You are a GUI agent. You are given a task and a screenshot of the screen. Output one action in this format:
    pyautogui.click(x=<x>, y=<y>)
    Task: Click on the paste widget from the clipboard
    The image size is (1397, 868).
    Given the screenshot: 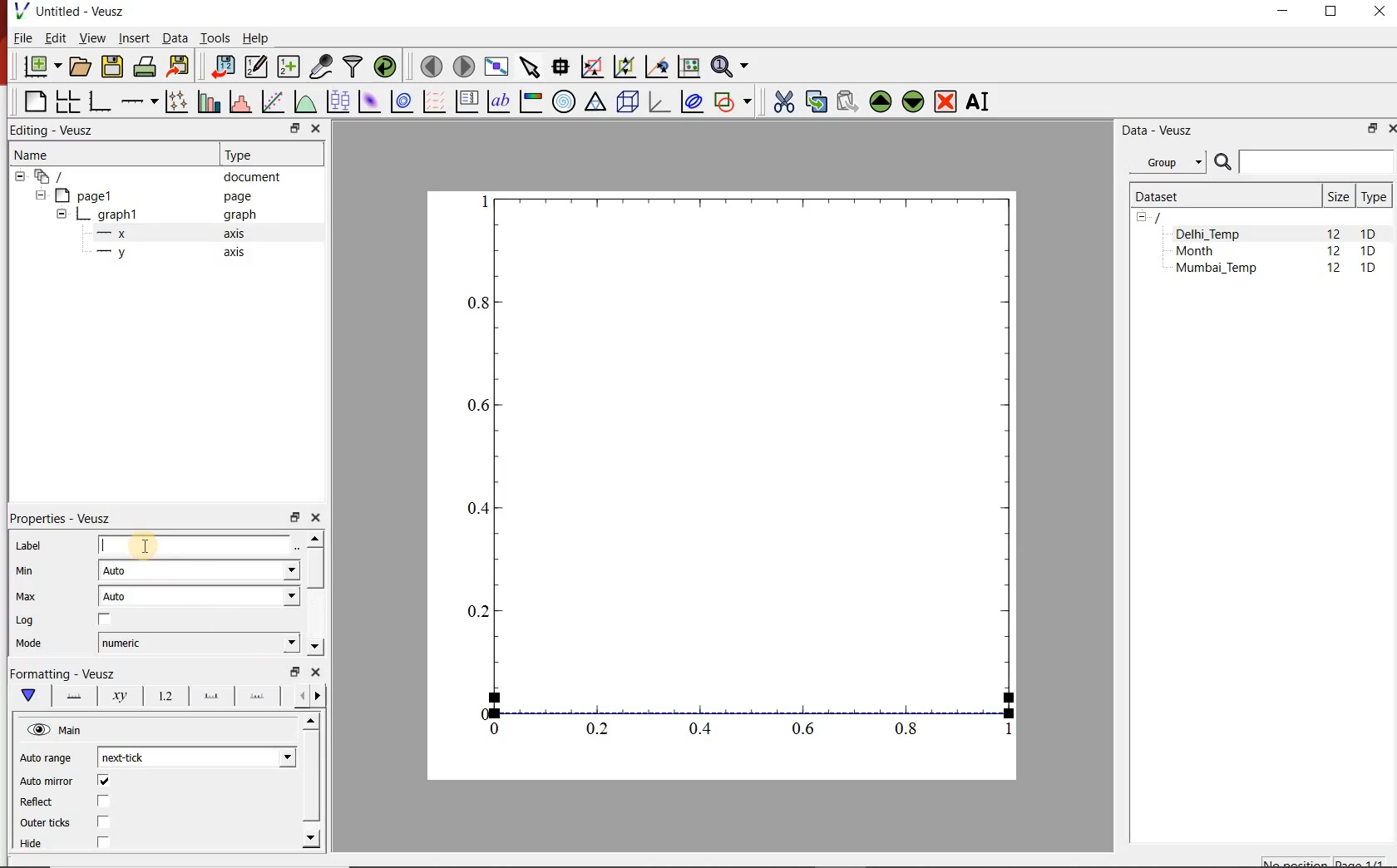 What is the action you would take?
    pyautogui.click(x=848, y=101)
    